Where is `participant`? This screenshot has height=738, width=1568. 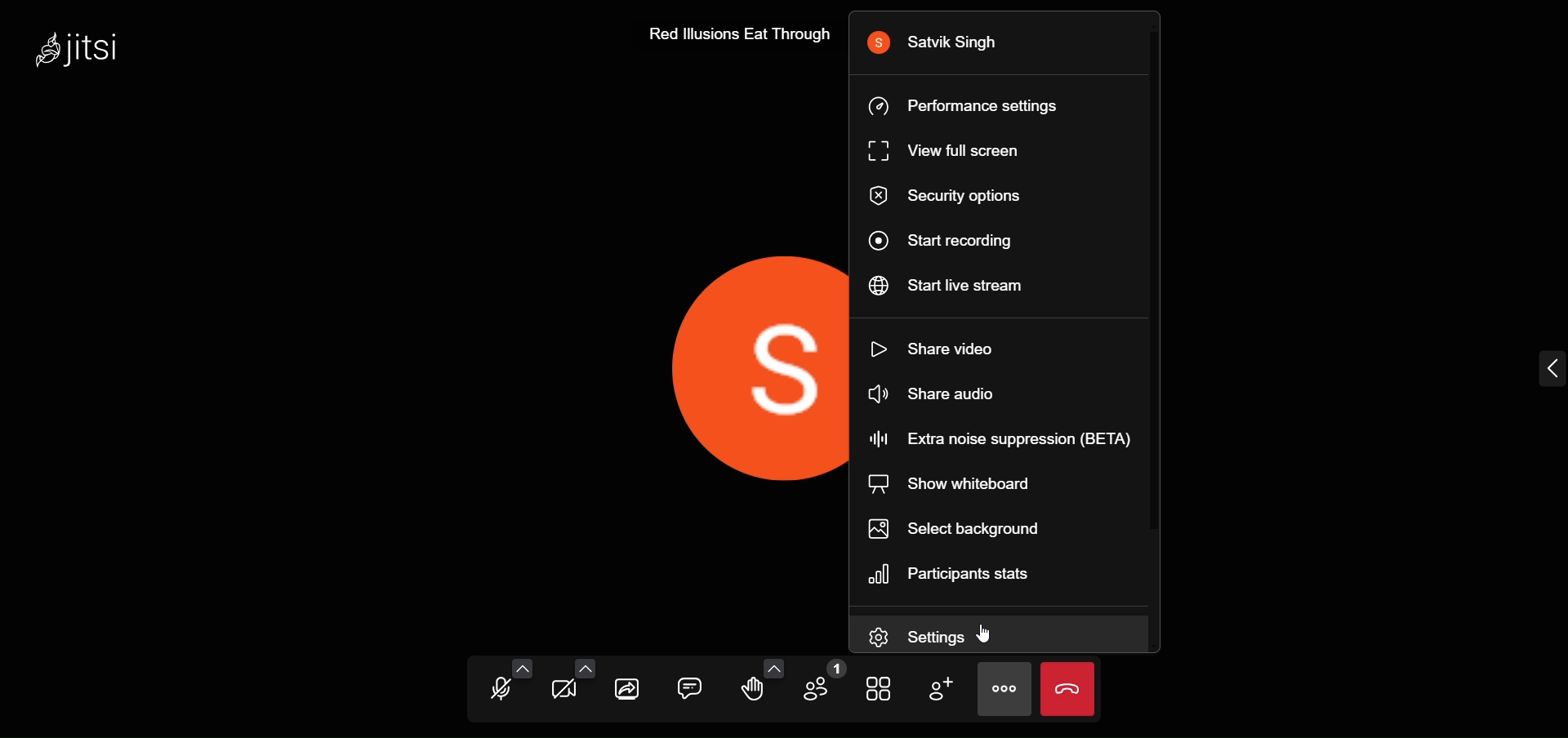 participant is located at coordinates (827, 685).